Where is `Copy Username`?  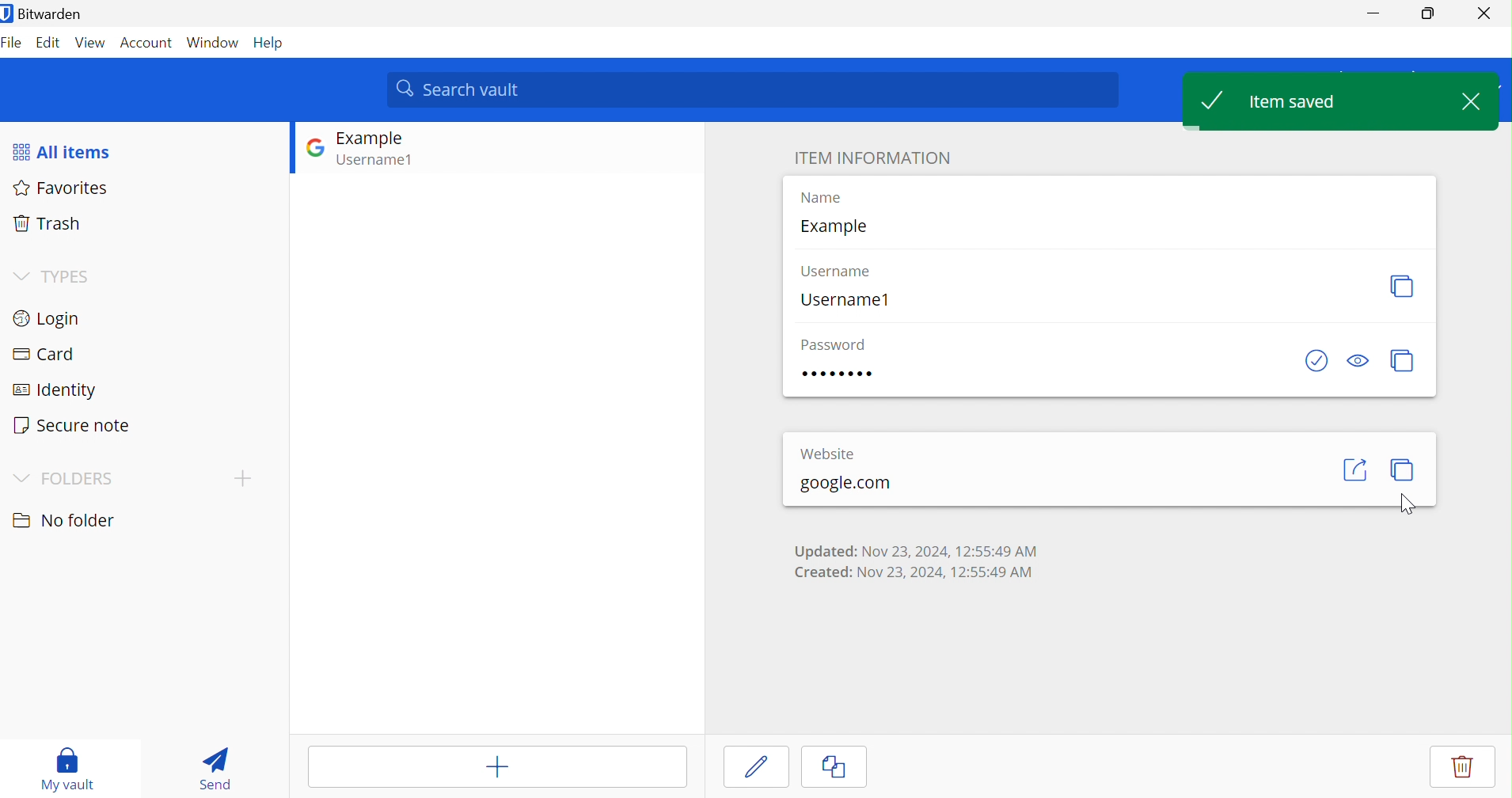
Copy Username is located at coordinates (1403, 284).